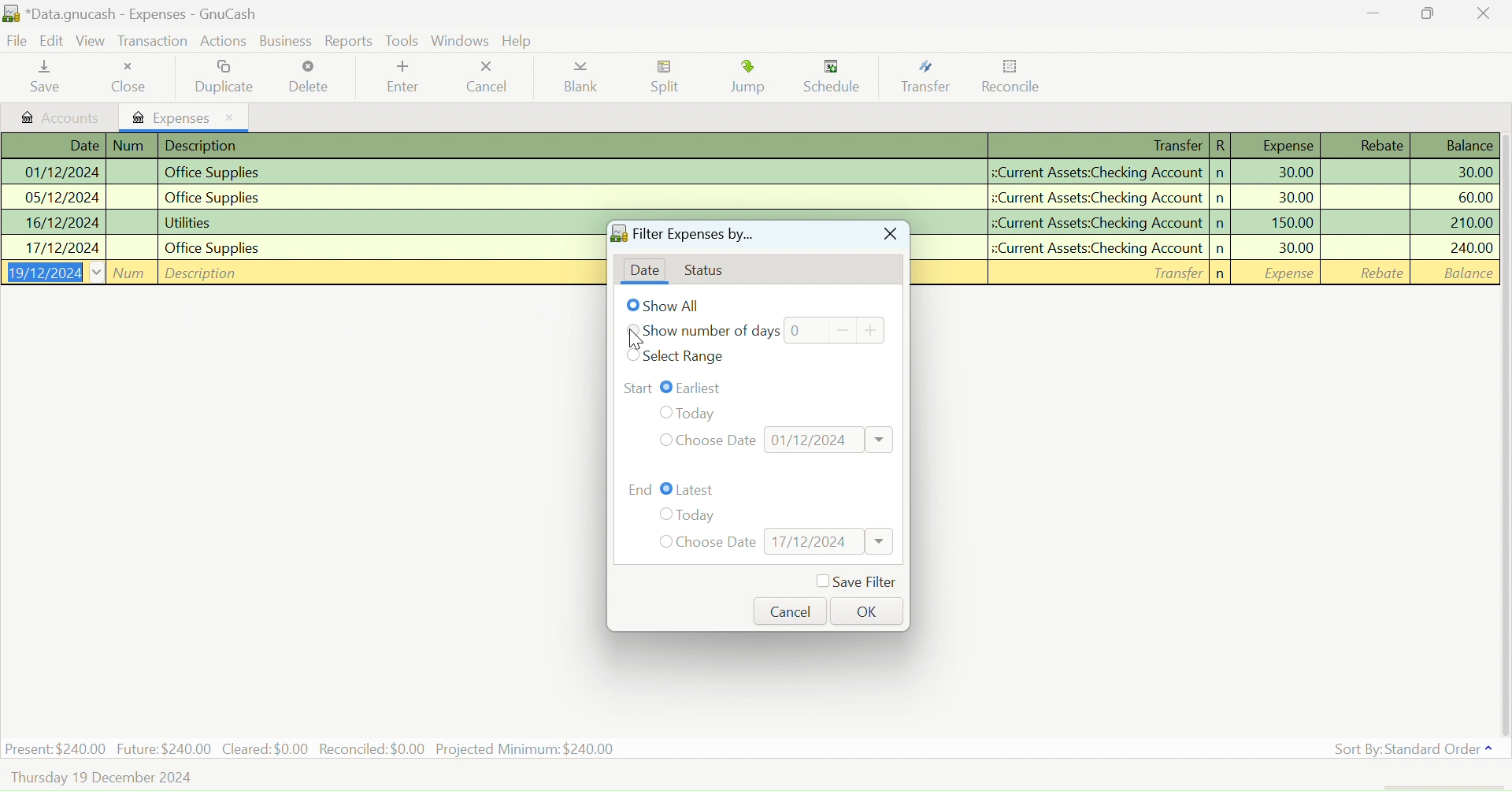 The width and height of the screenshot is (1512, 791). Describe the element at coordinates (486, 77) in the screenshot. I see `Cancel` at that location.